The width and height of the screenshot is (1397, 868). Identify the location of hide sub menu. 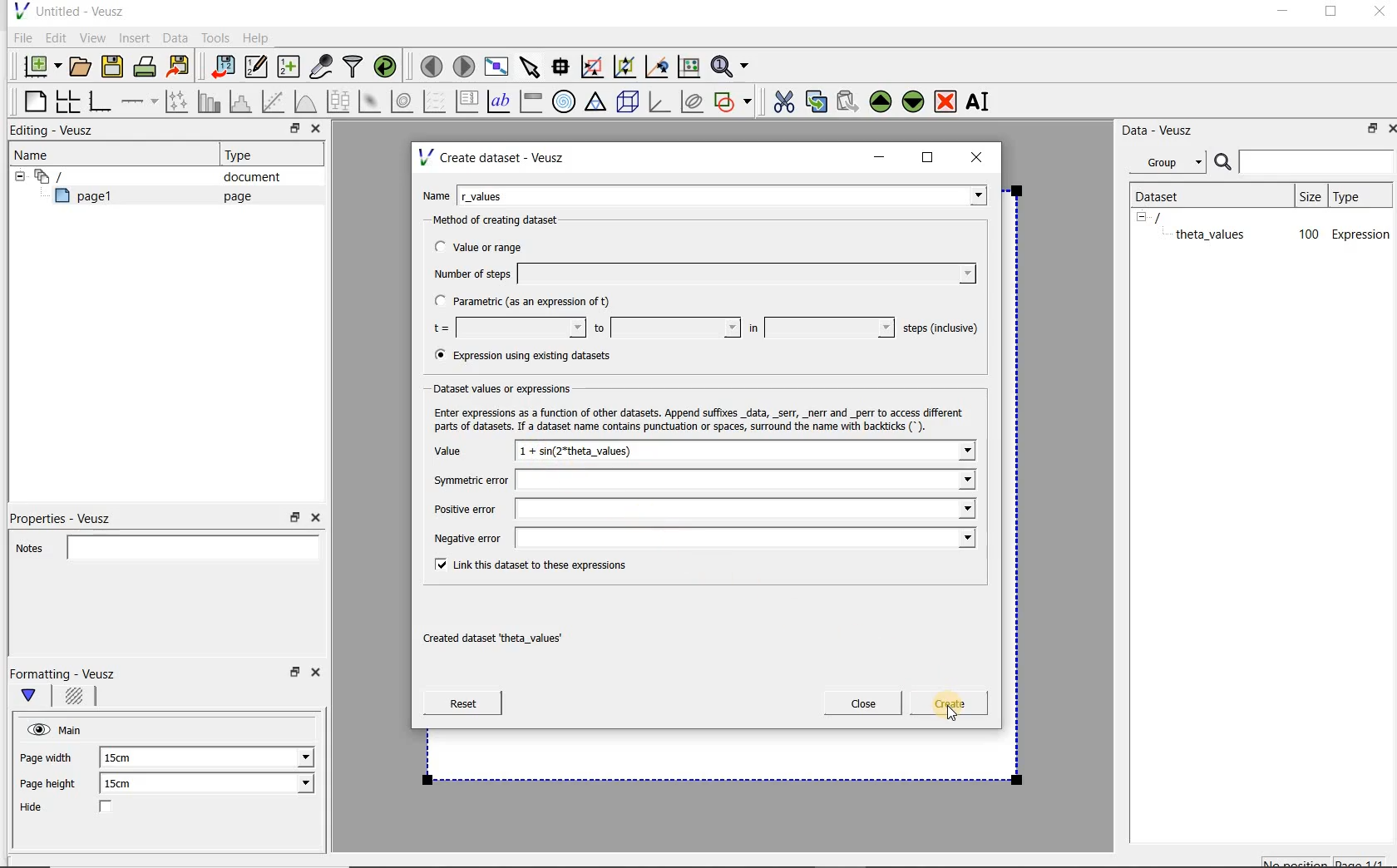
(1142, 216).